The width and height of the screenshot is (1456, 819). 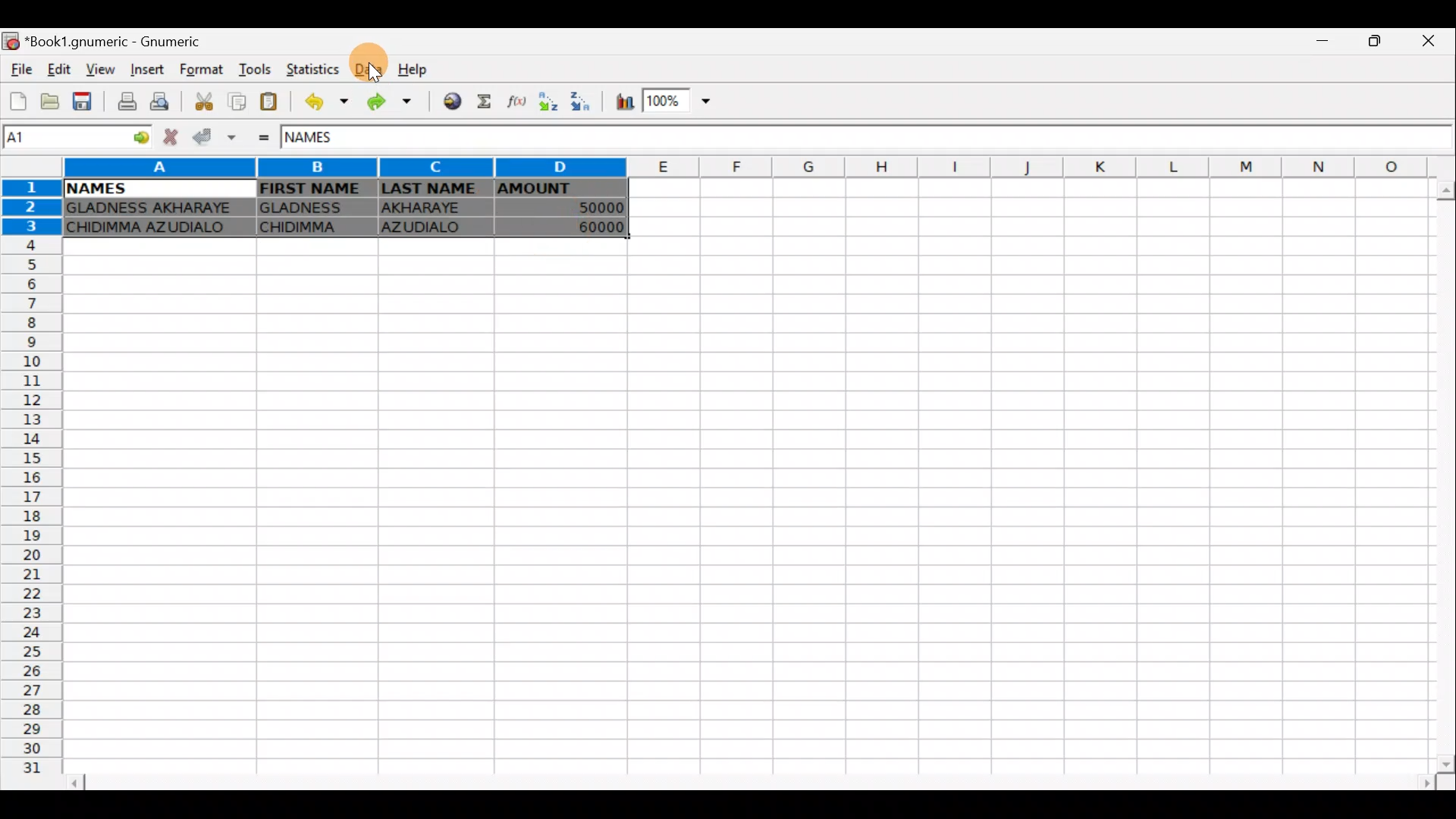 What do you see at coordinates (12, 42) in the screenshot?
I see `Gnumeric logo` at bounding box center [12, 42].